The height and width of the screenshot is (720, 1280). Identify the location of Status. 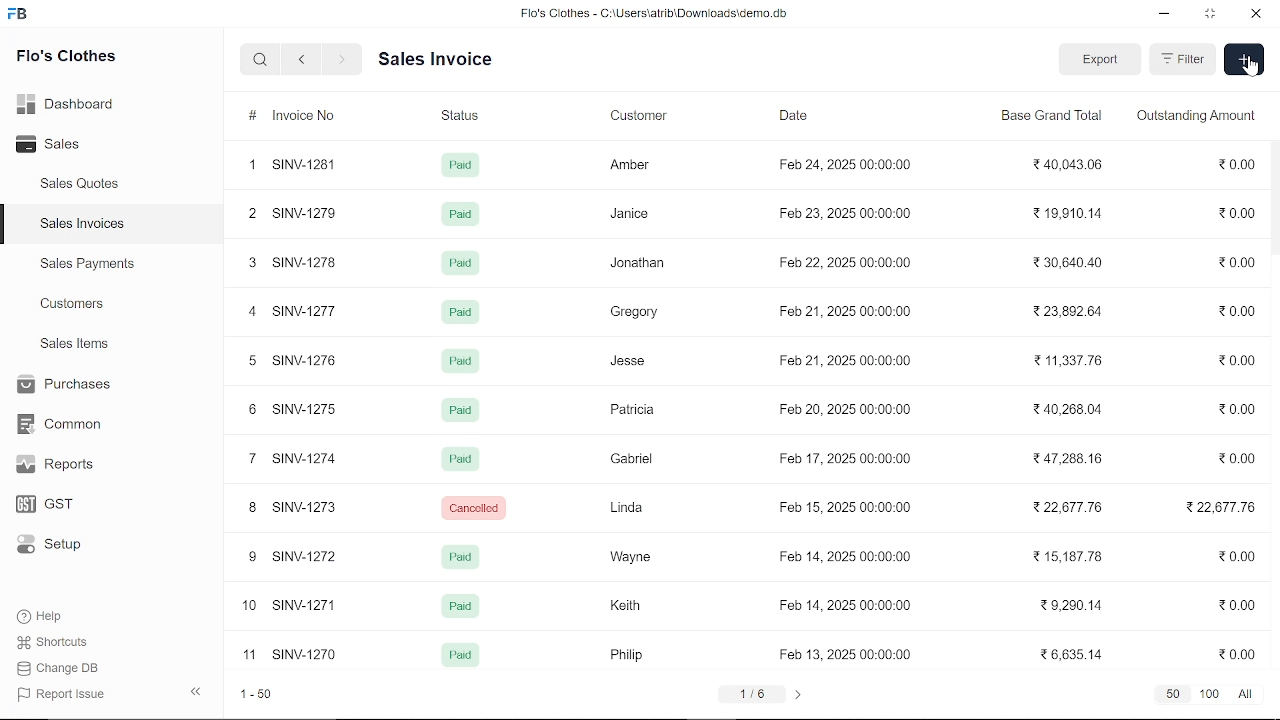
(460, 116).